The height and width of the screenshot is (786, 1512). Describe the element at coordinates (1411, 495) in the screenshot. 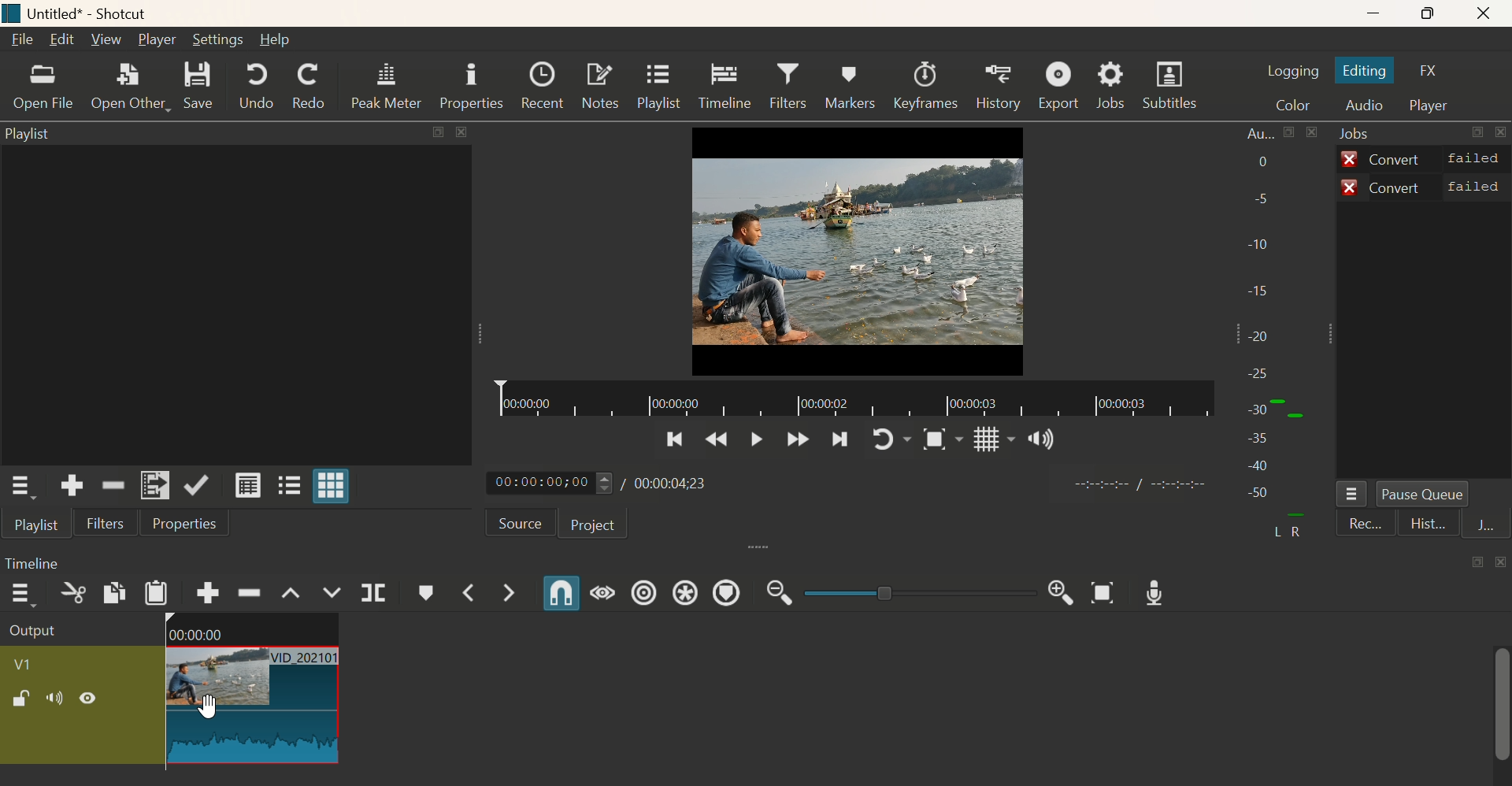

I see `` at that location.